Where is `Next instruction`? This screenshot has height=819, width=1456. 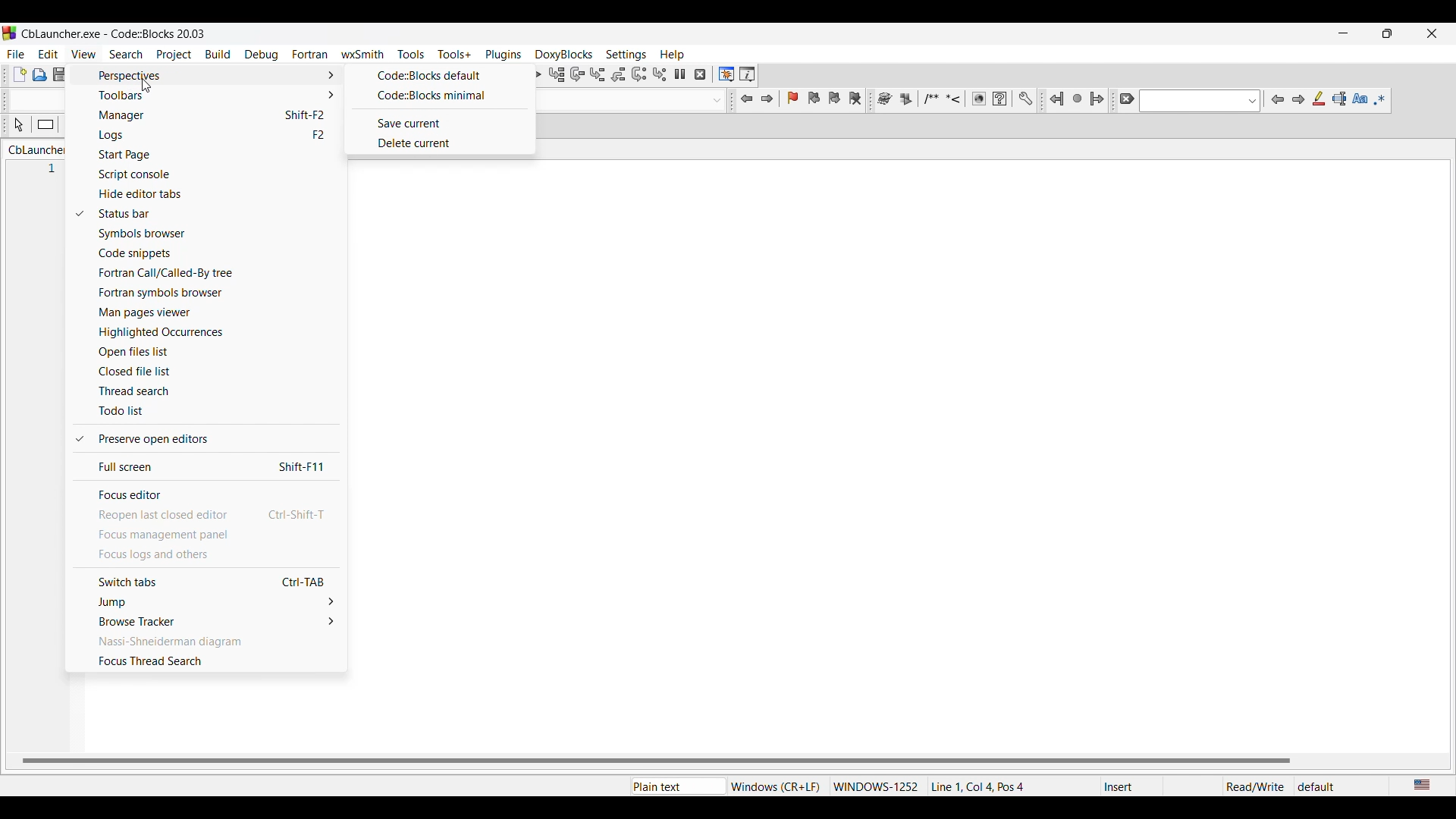
Next instruction is located at coordinates (639, 74).